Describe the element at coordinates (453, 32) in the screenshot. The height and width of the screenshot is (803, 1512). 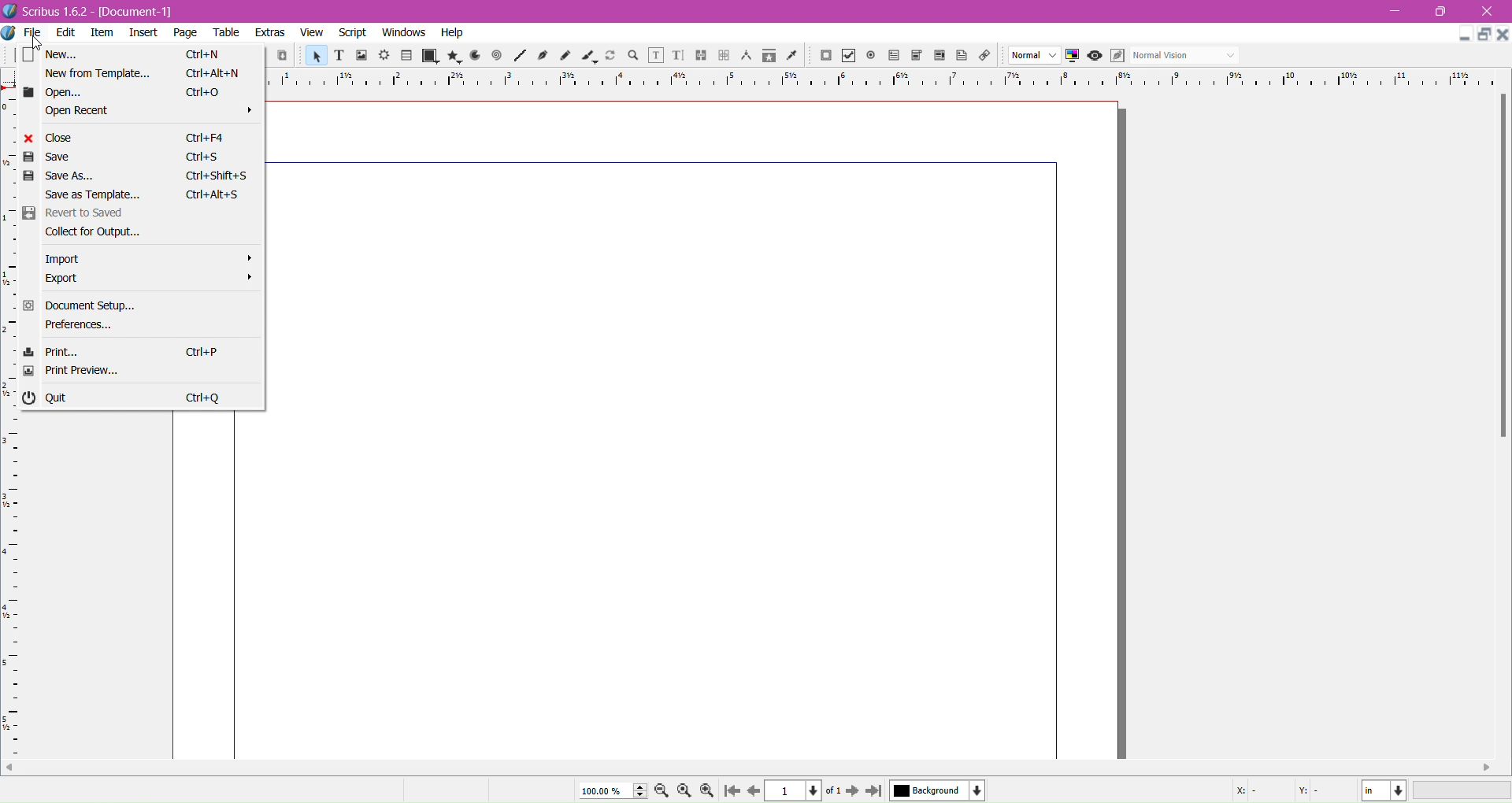
I see `Help` at that location.